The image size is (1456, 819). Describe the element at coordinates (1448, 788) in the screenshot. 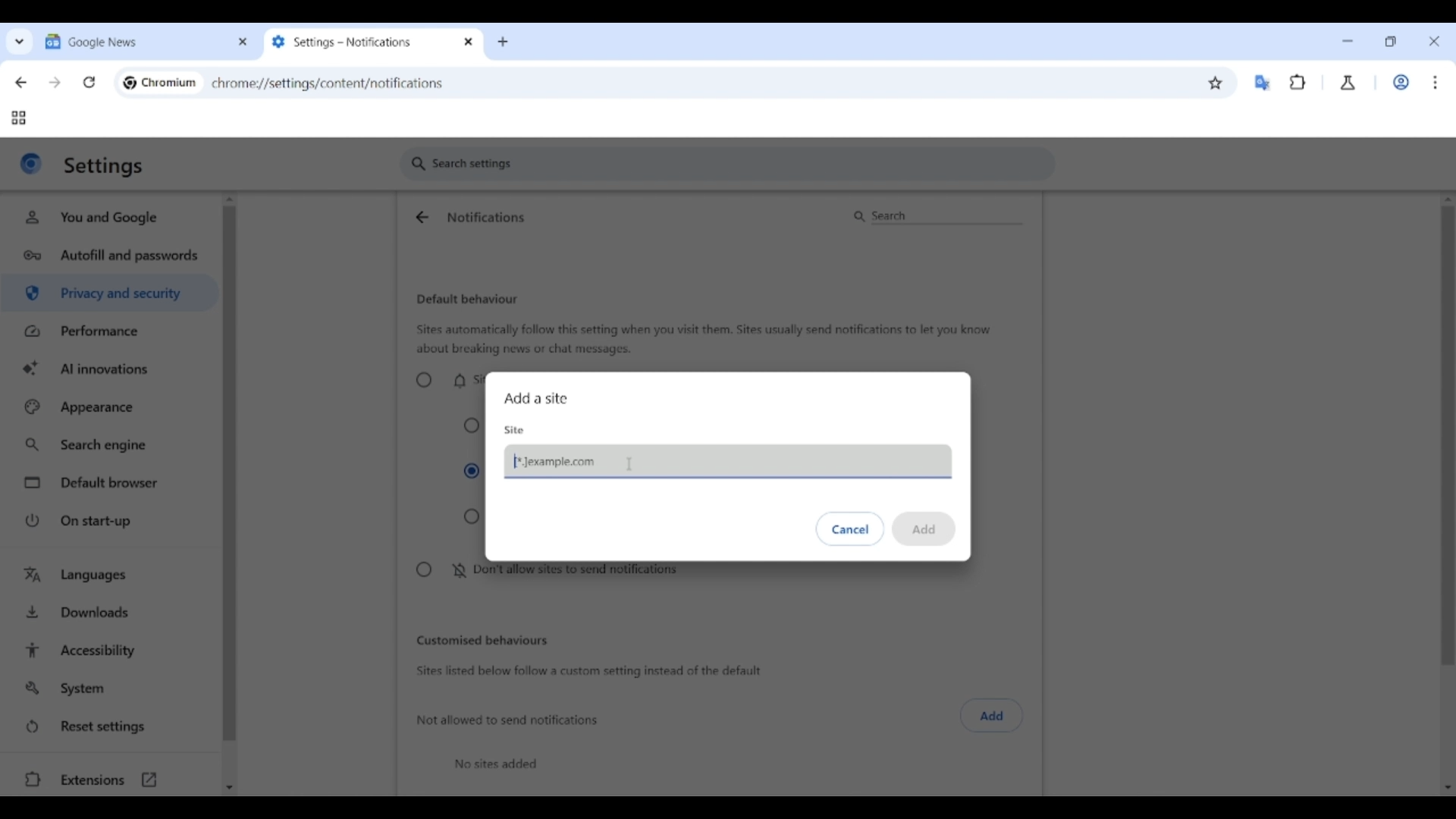

I see `Quick slide to bottom` at that location.